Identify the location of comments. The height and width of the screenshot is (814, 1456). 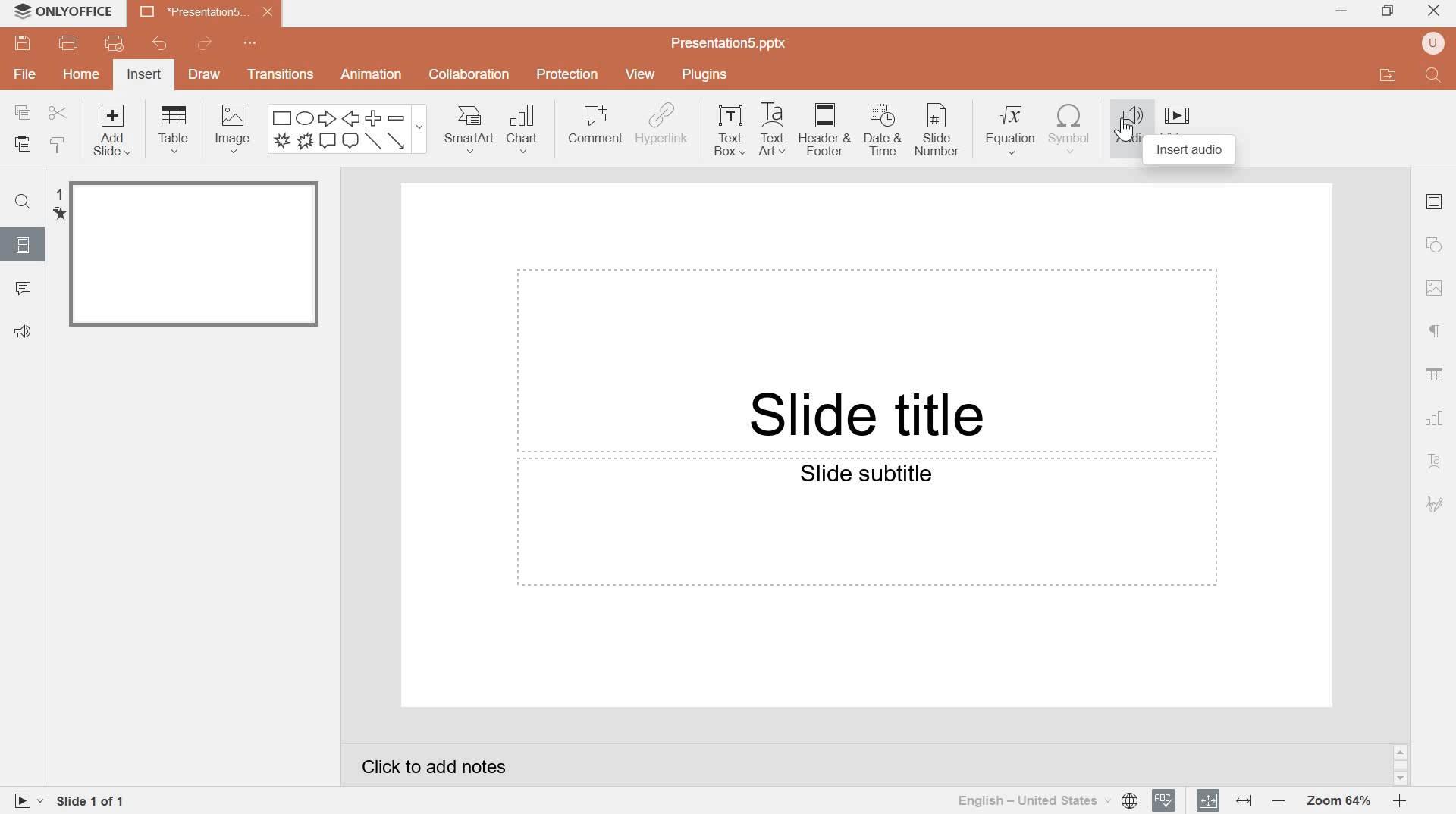
(24, 289).